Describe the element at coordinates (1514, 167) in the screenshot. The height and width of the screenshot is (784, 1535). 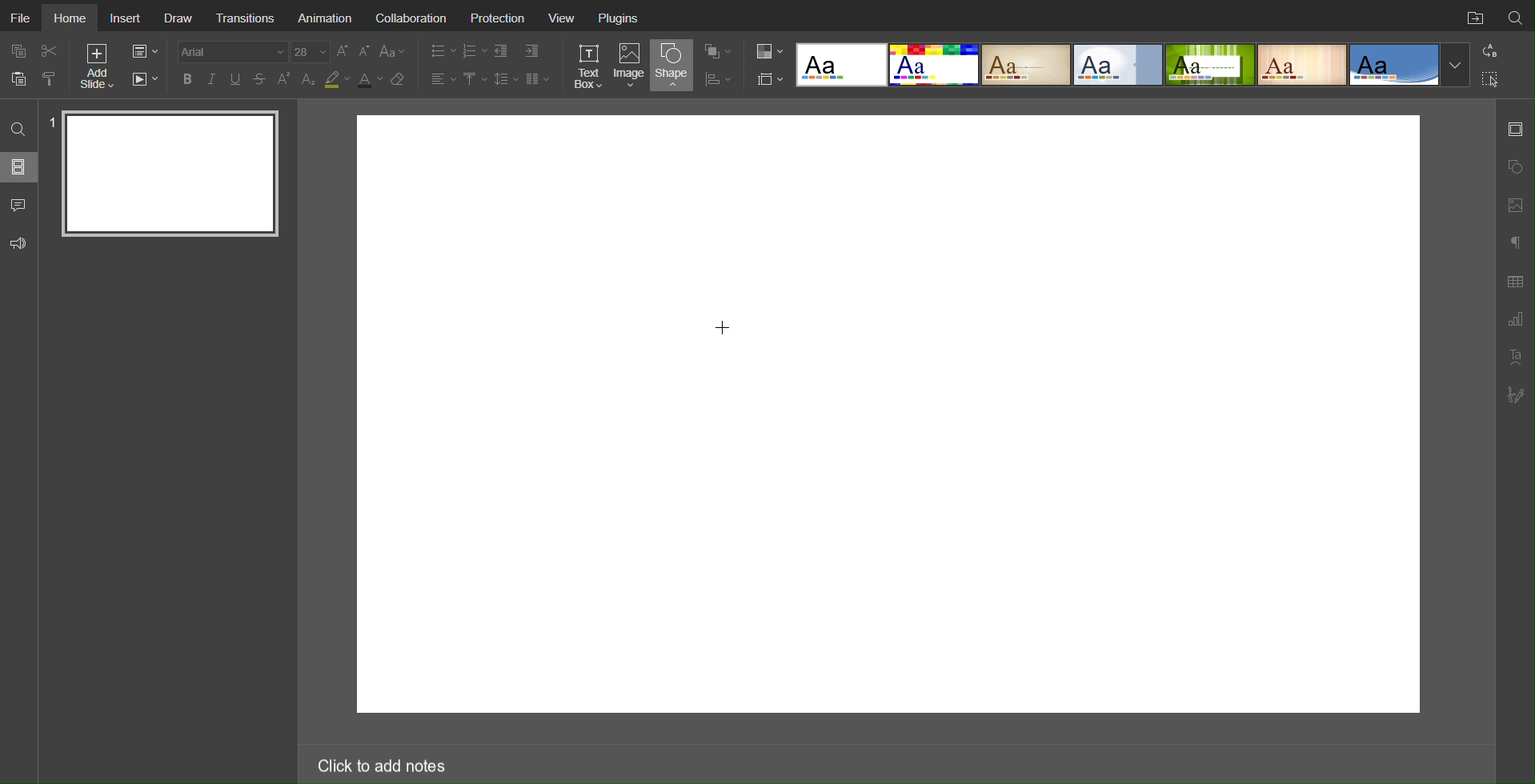
I see `Shape Settings` at that location.